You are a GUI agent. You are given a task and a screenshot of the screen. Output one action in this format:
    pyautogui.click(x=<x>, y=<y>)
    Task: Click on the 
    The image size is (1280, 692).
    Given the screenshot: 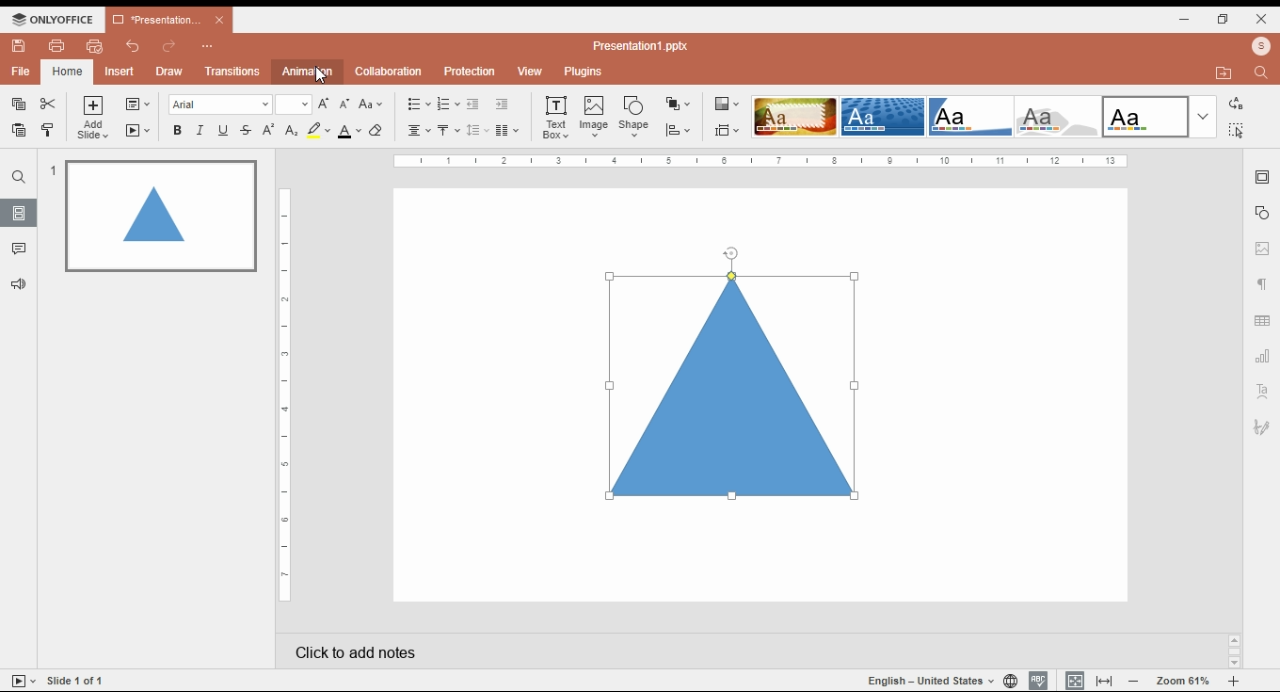 What is the action you would take?
    pyautogui.click(x=1262, y=428)
    